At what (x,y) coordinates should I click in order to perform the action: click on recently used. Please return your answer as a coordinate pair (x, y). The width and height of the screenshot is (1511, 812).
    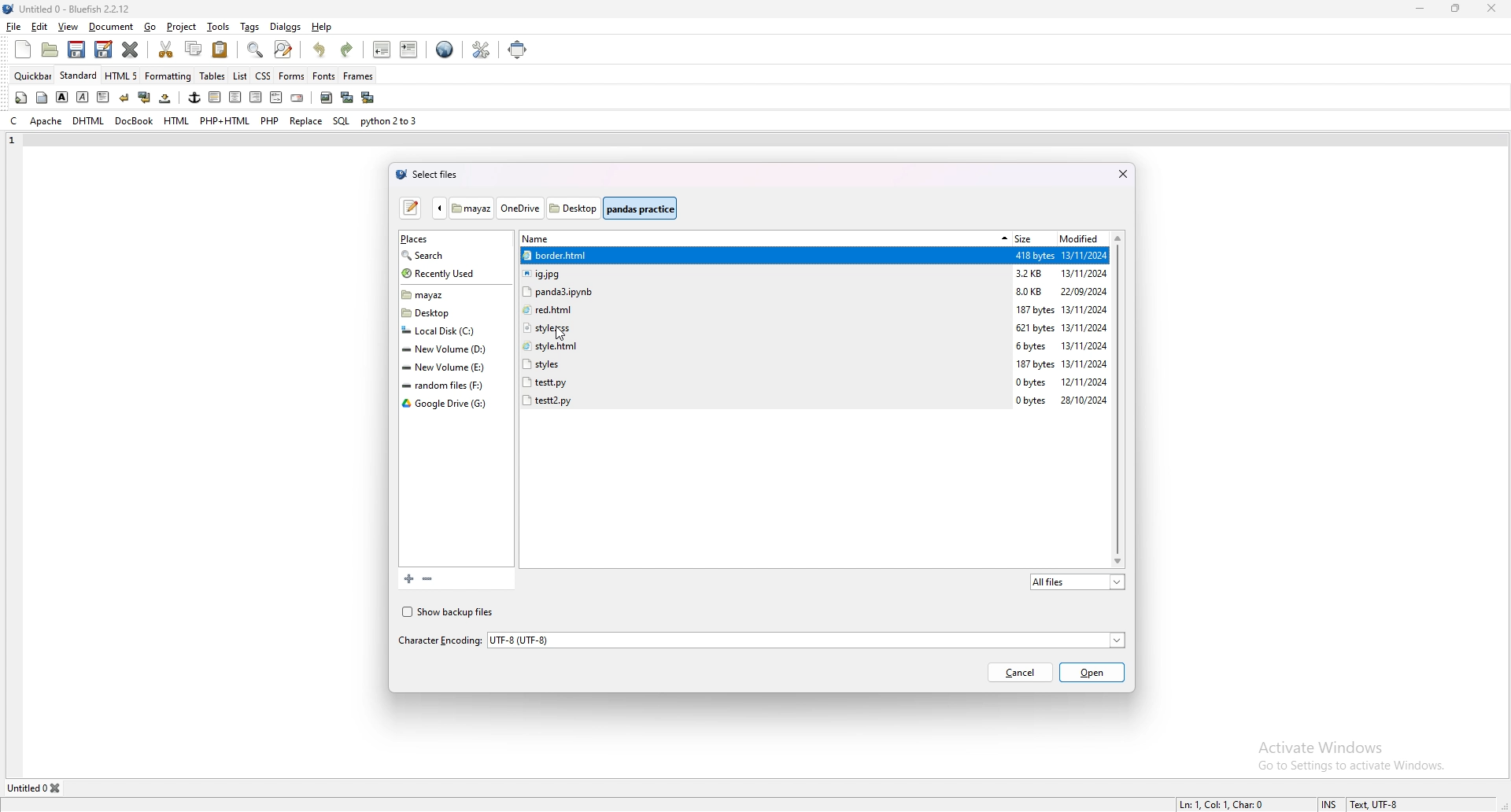
    Looking at the image, I should click on (452, 274).